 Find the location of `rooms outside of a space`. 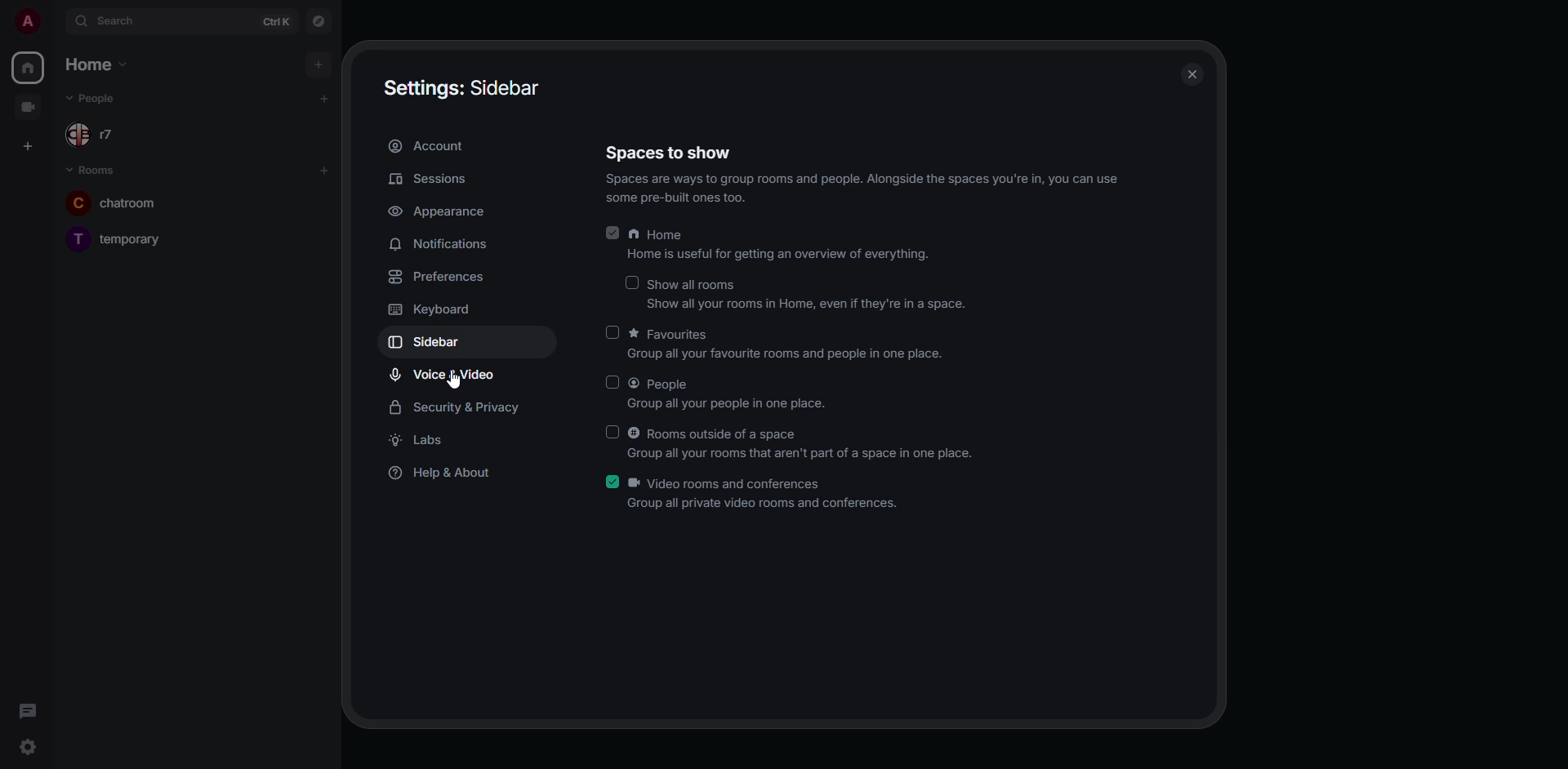

rooms outside of a space is located at coordinates (804, 443).